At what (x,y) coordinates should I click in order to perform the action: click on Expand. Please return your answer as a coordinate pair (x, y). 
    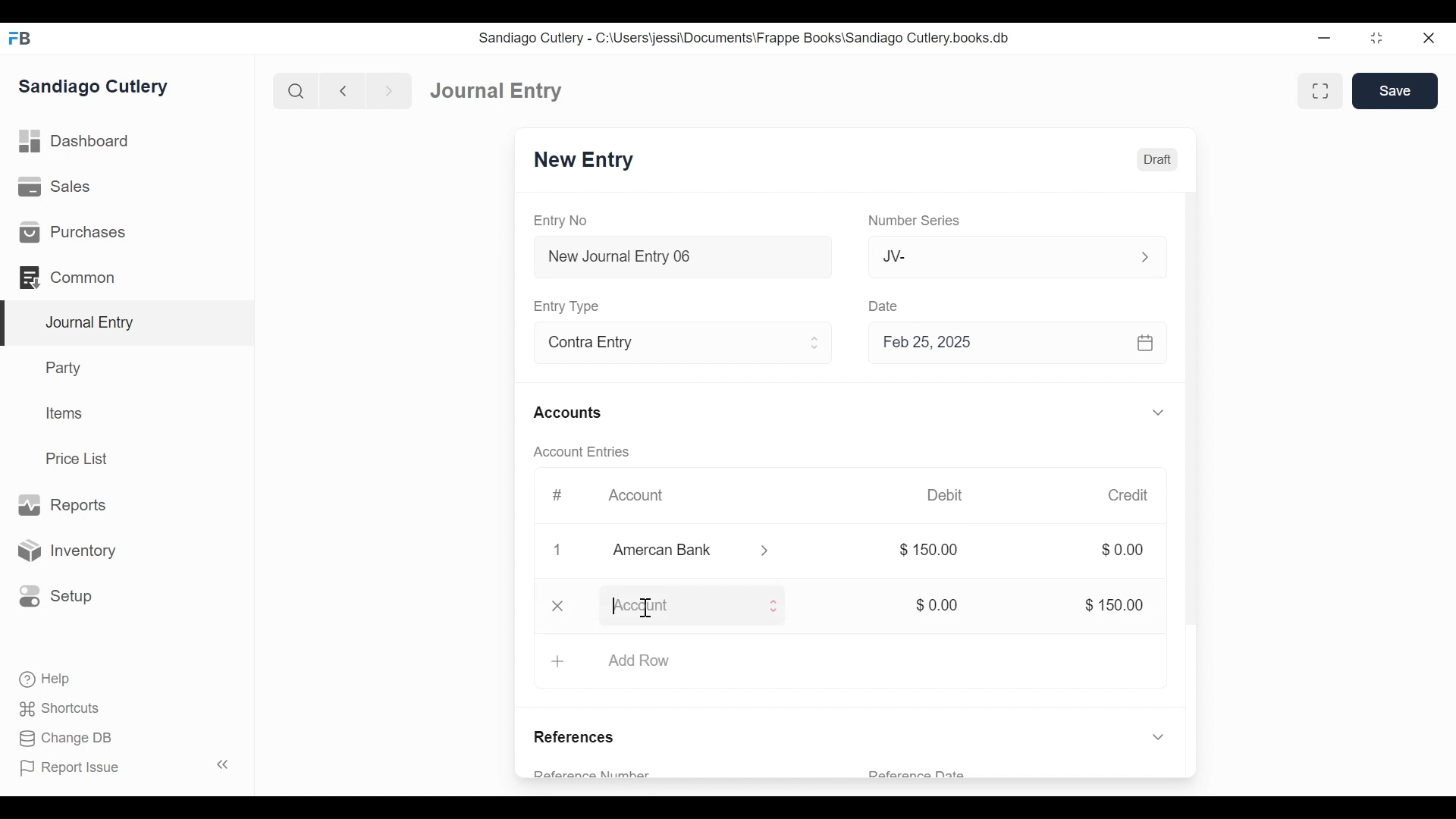
    Looking at the image, I should click on (767, 551).